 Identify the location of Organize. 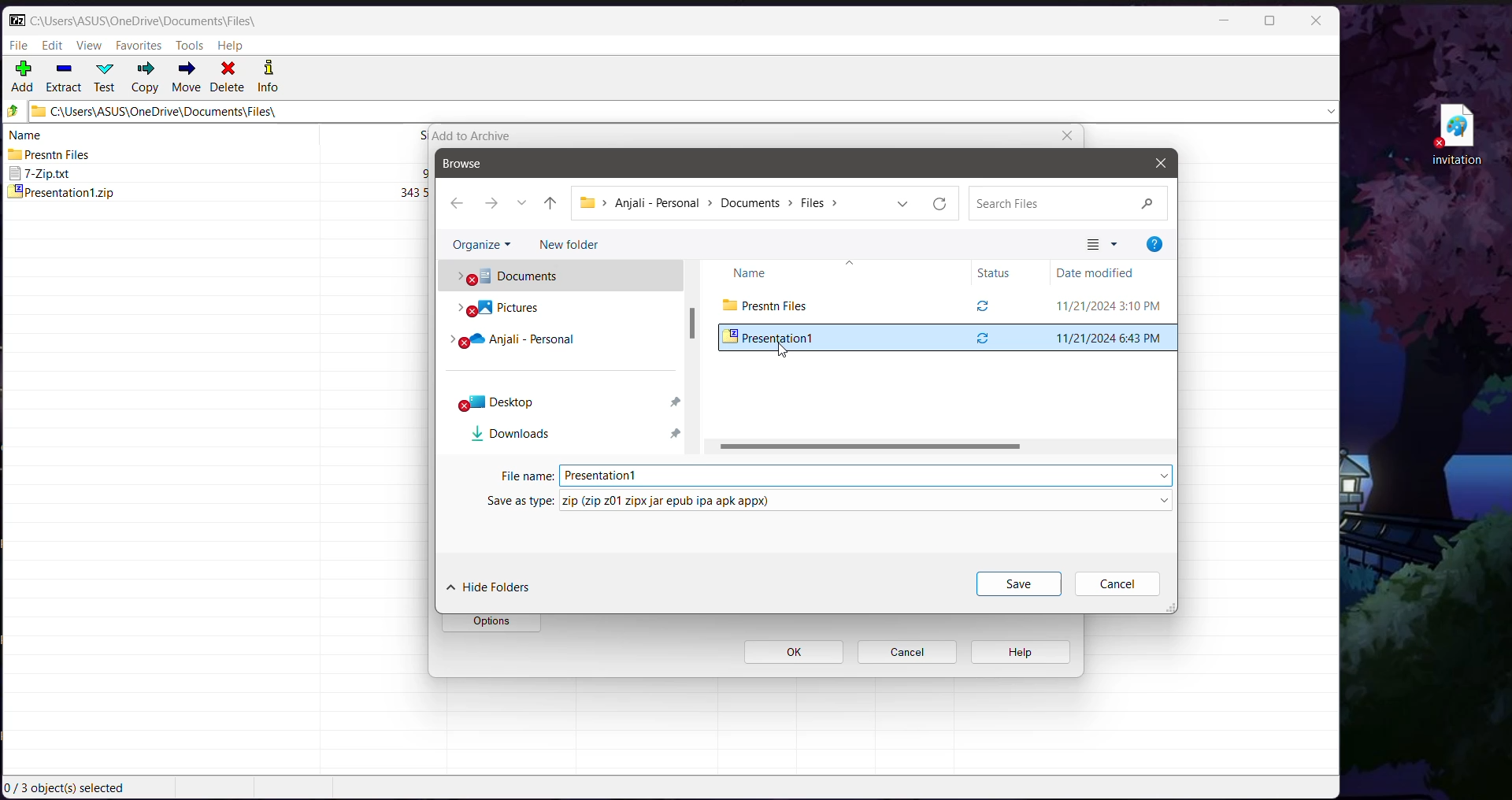
(484, 245).